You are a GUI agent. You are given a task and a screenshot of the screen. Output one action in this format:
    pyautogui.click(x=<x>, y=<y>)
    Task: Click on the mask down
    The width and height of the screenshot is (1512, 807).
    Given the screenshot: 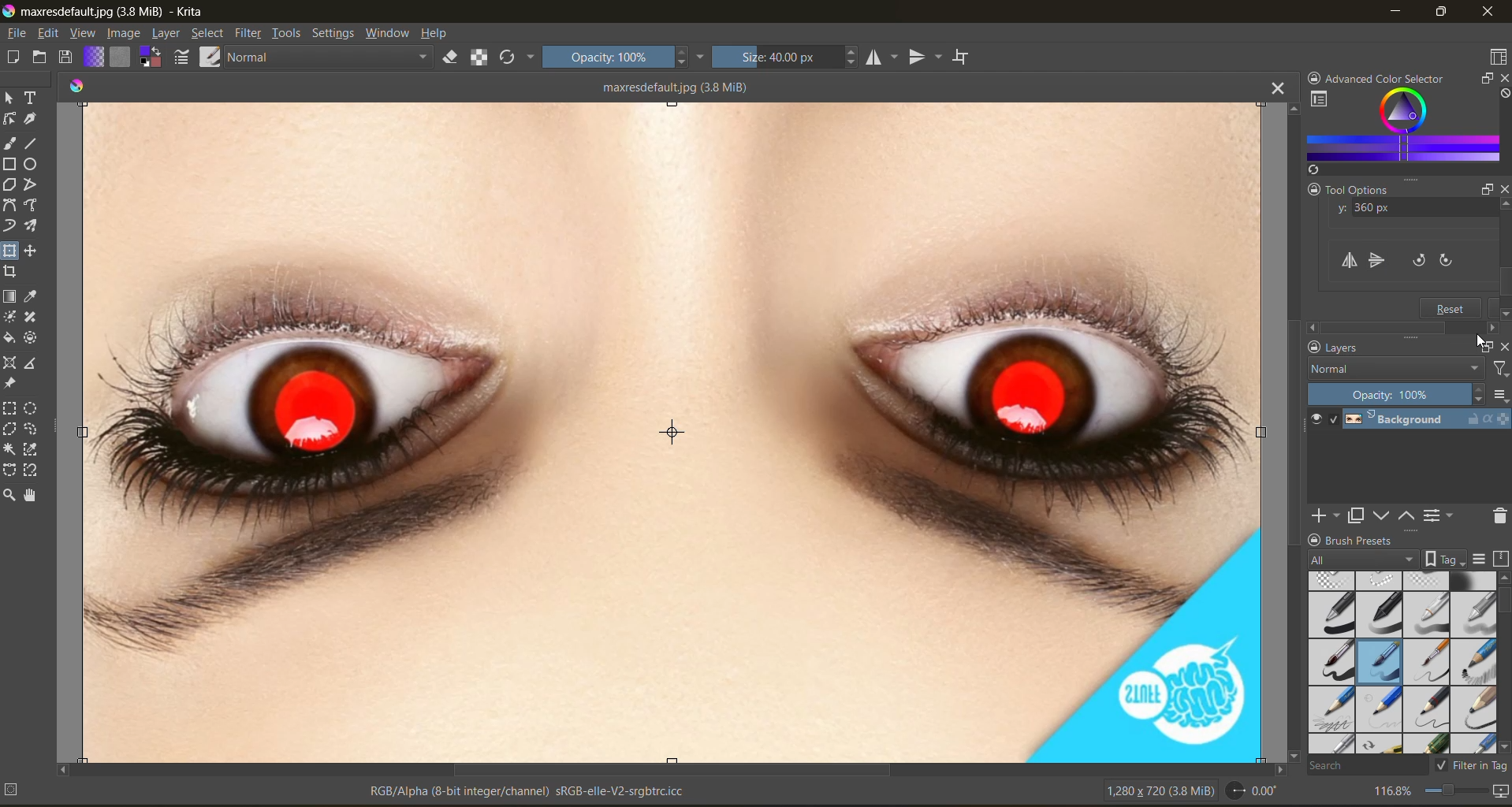 What is the action you would take?
    pyautogui.click(x=1384, y=515)
    